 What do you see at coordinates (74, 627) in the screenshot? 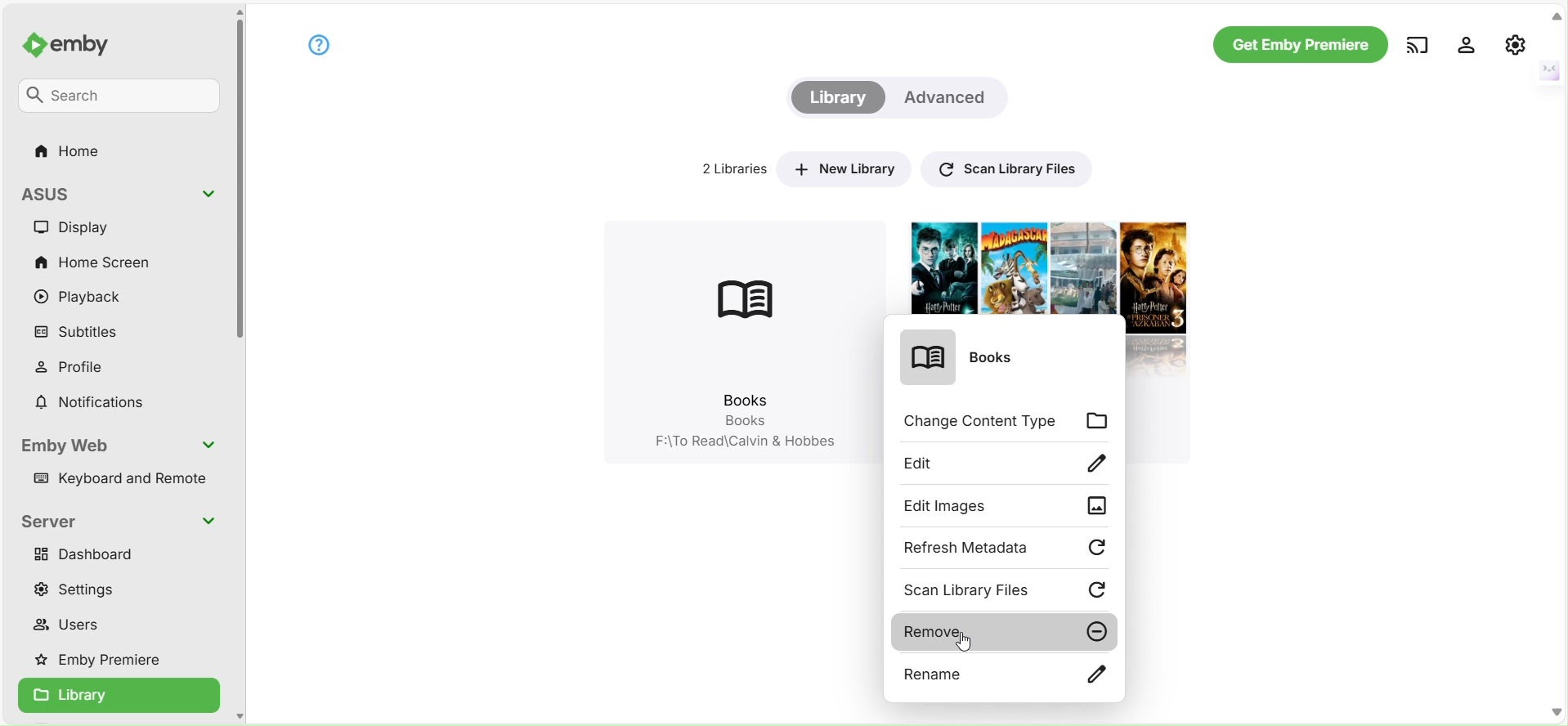
I see `Users` at bounding box center [74, 627].